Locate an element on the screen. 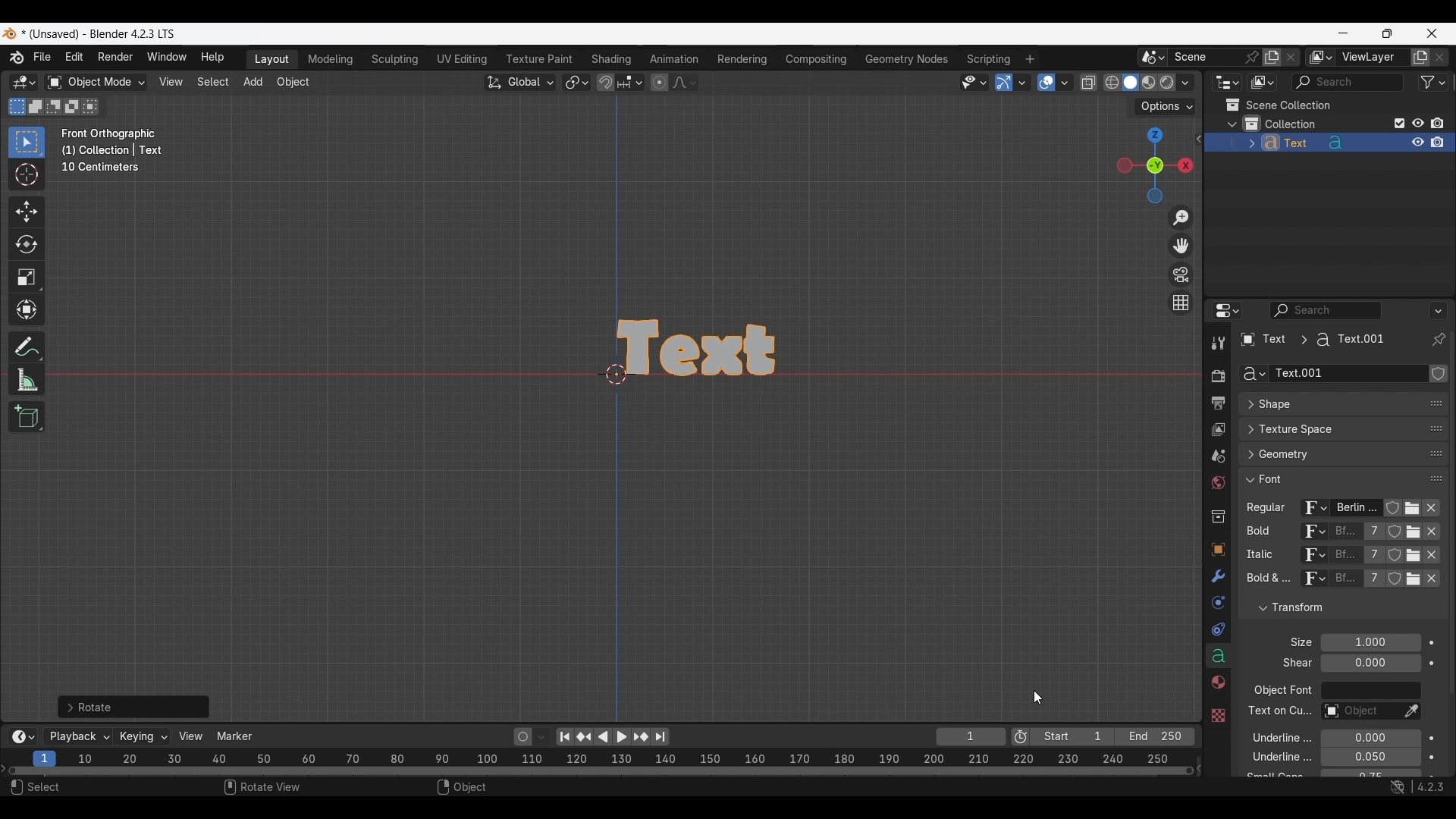 This screenshot has height=819, width=1456. Display filter is located at coordinates (1348, 82).